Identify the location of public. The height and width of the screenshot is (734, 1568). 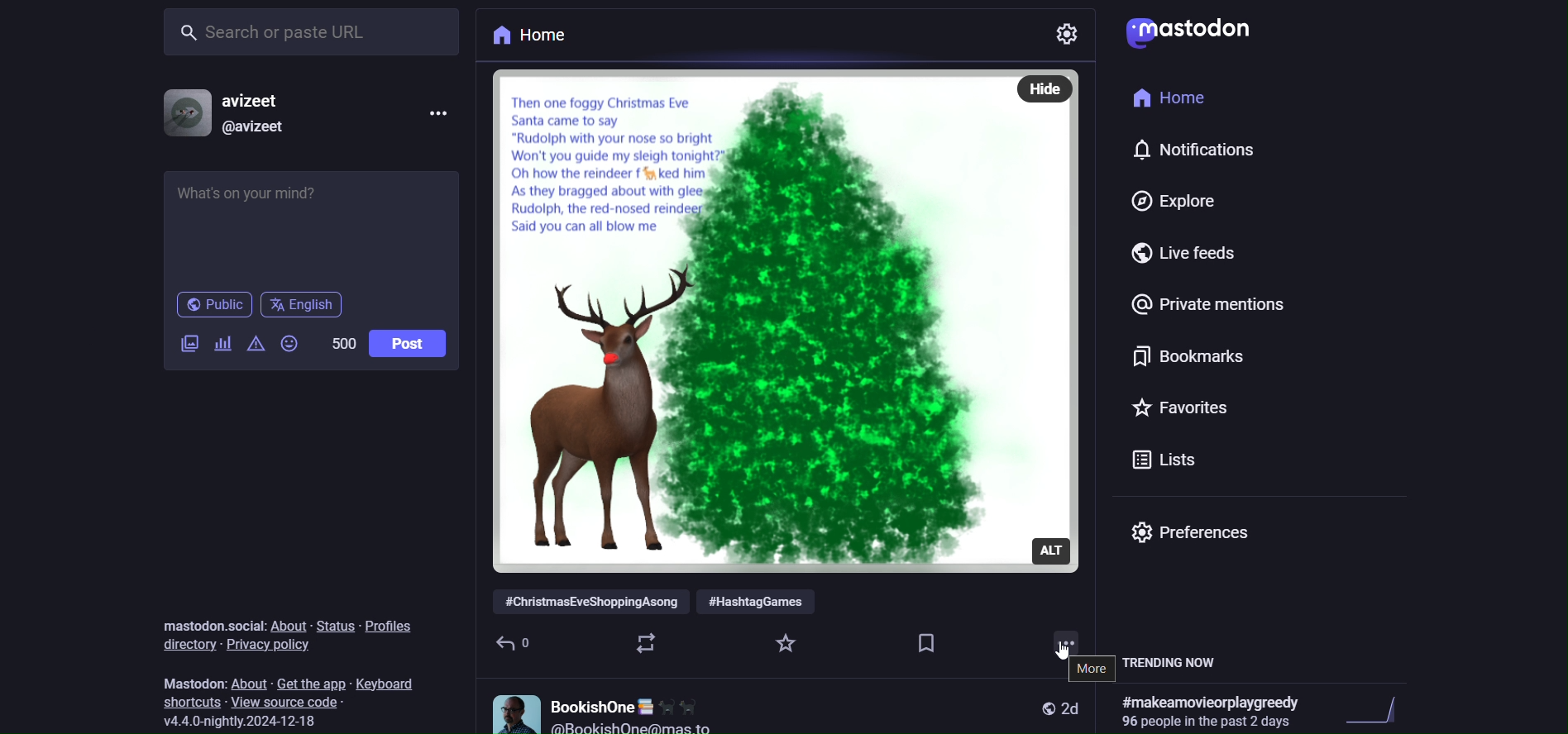
(216, 305).